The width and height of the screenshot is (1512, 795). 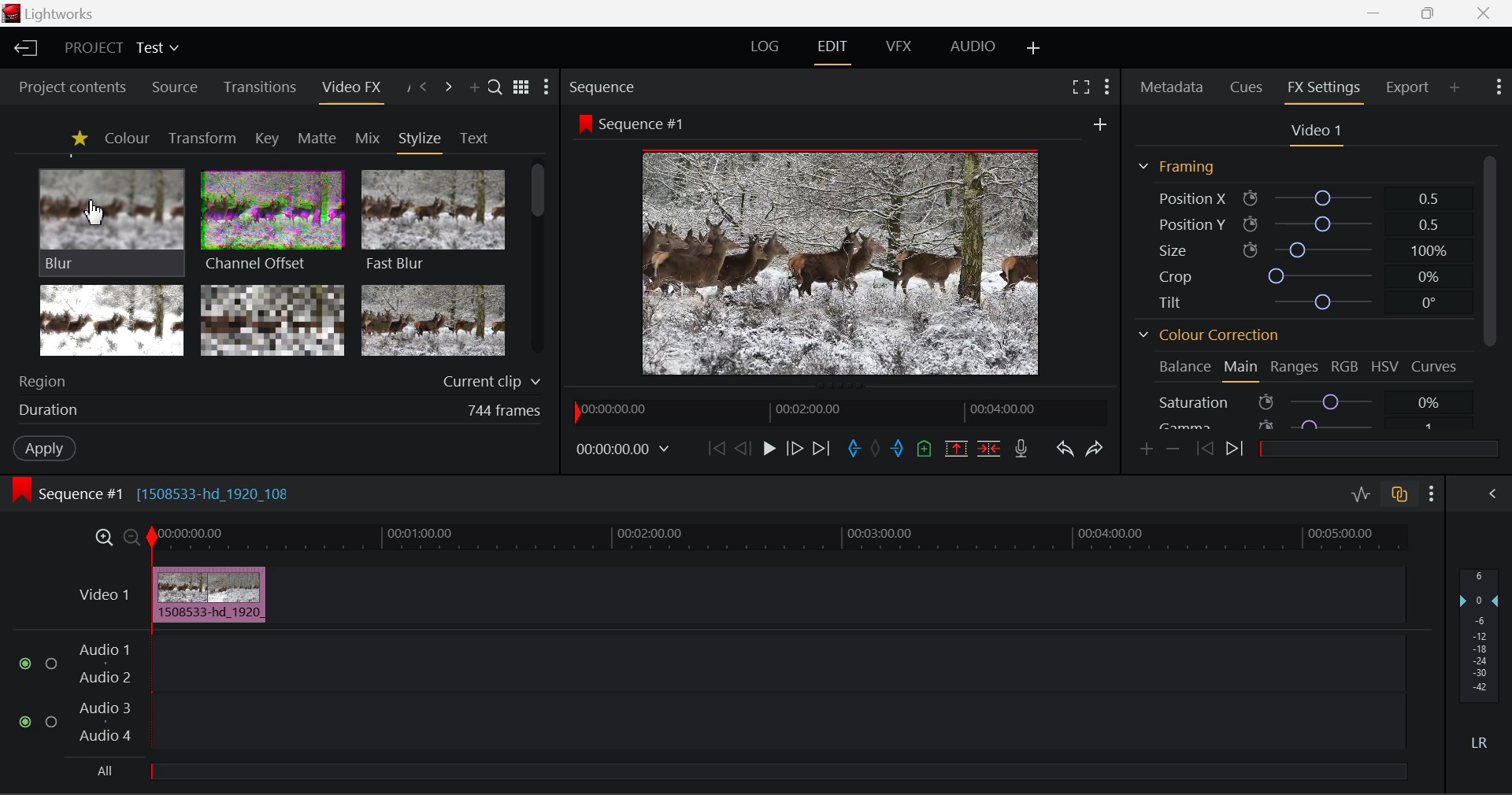 I want to click on Apply, so click(x=44, y=450).